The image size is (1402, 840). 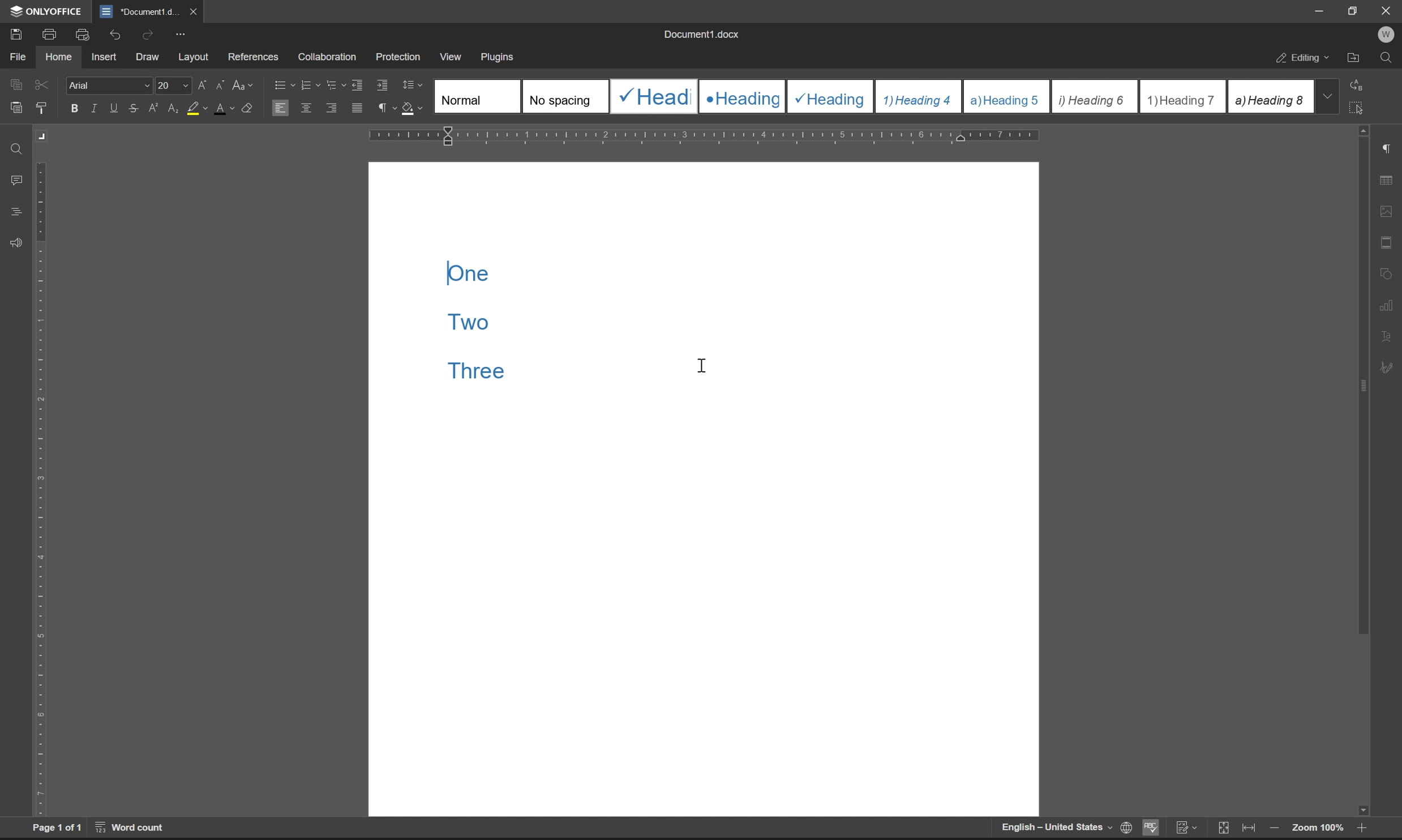 I want to click on Heading 8, so click(x=1270, y=96).